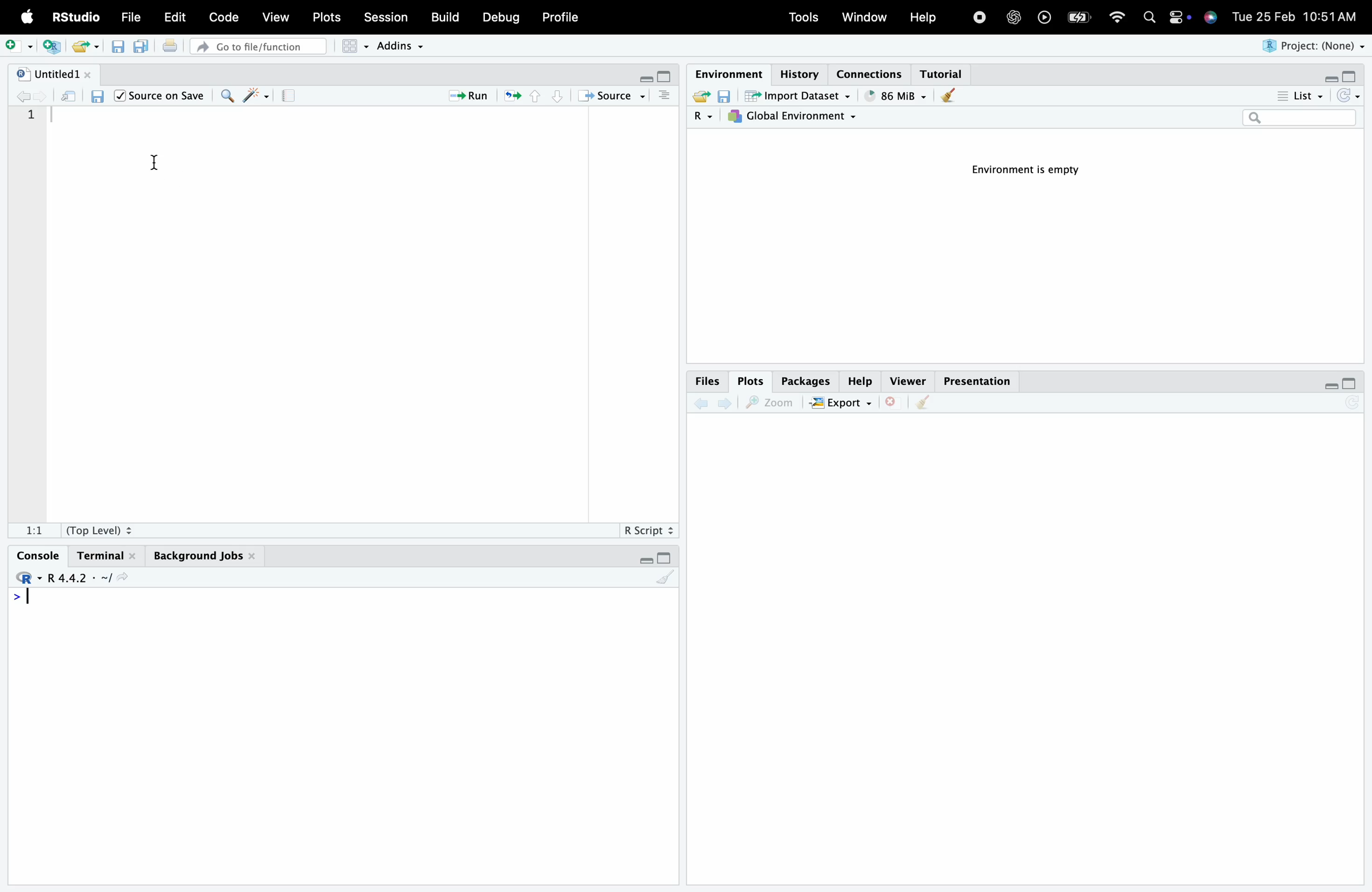 The width and height of the screenshot is (1372, 892). I want to click on "| Untitled1, so click(55, 75).